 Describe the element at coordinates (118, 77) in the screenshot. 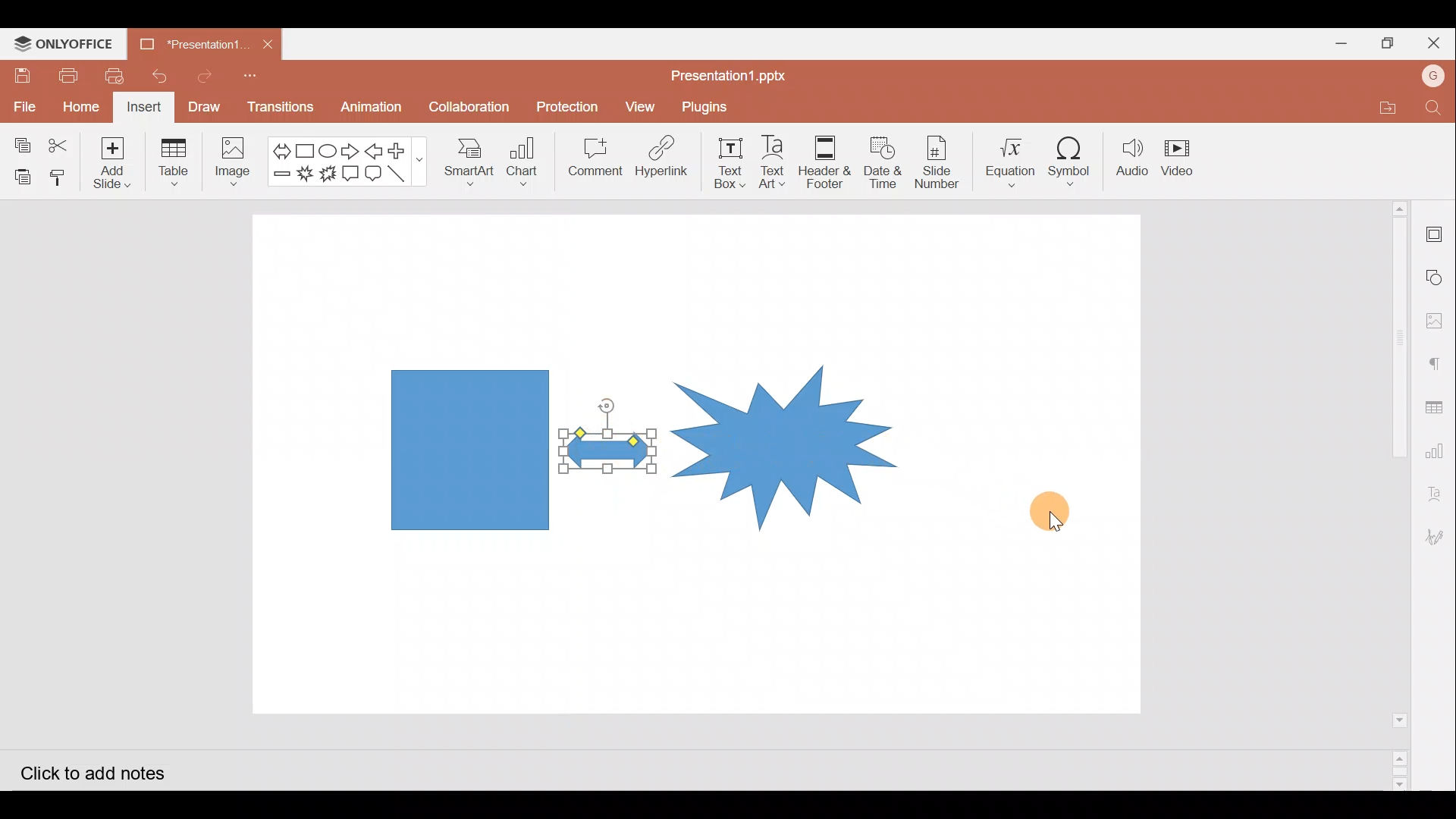

I see `Quick print` at that location.